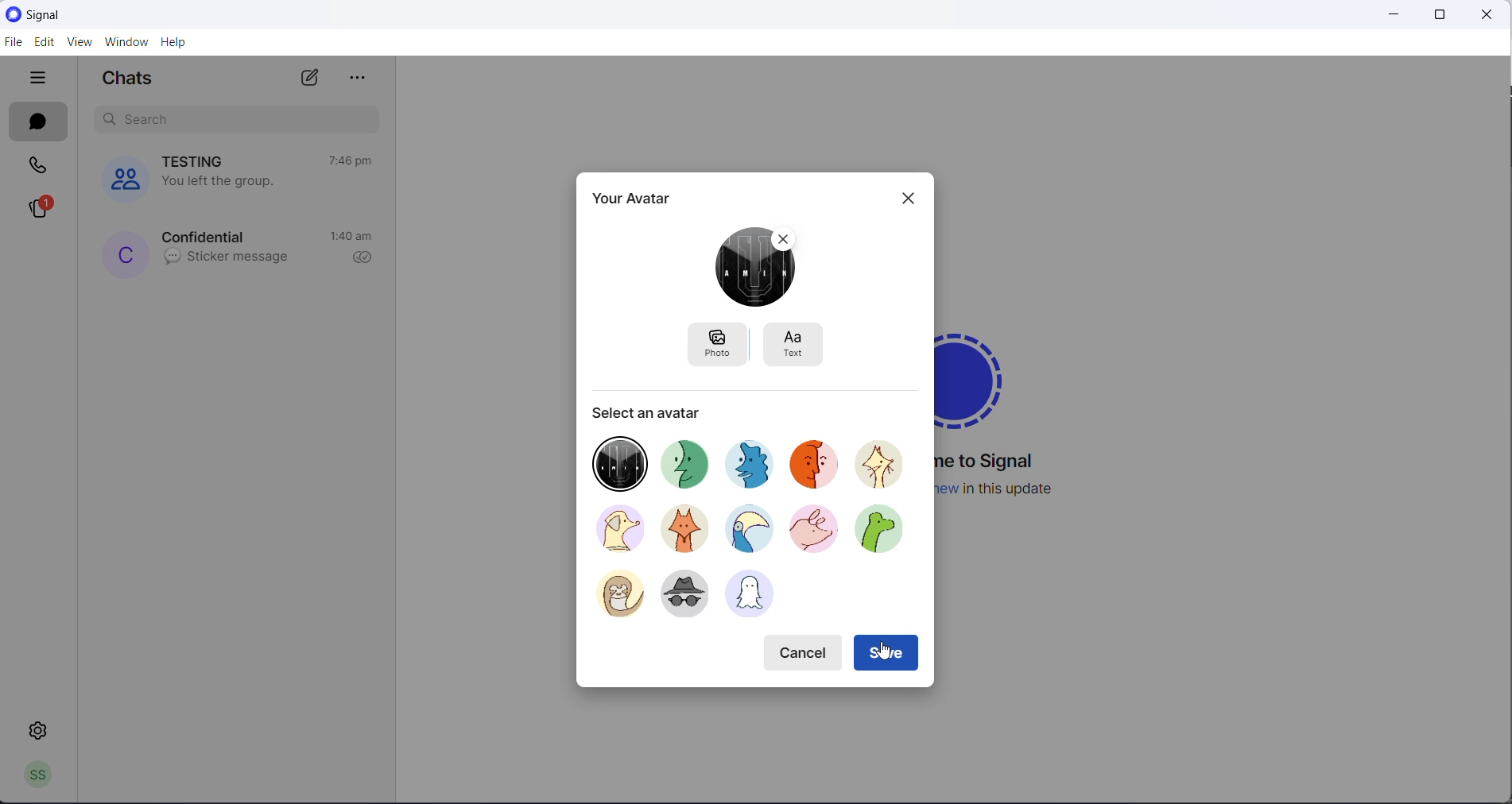 The width and height of the screenshot is (1512, 804). Describe the element at coordinates (134, 81) in the screenshot. I see `chats heading` at that location.